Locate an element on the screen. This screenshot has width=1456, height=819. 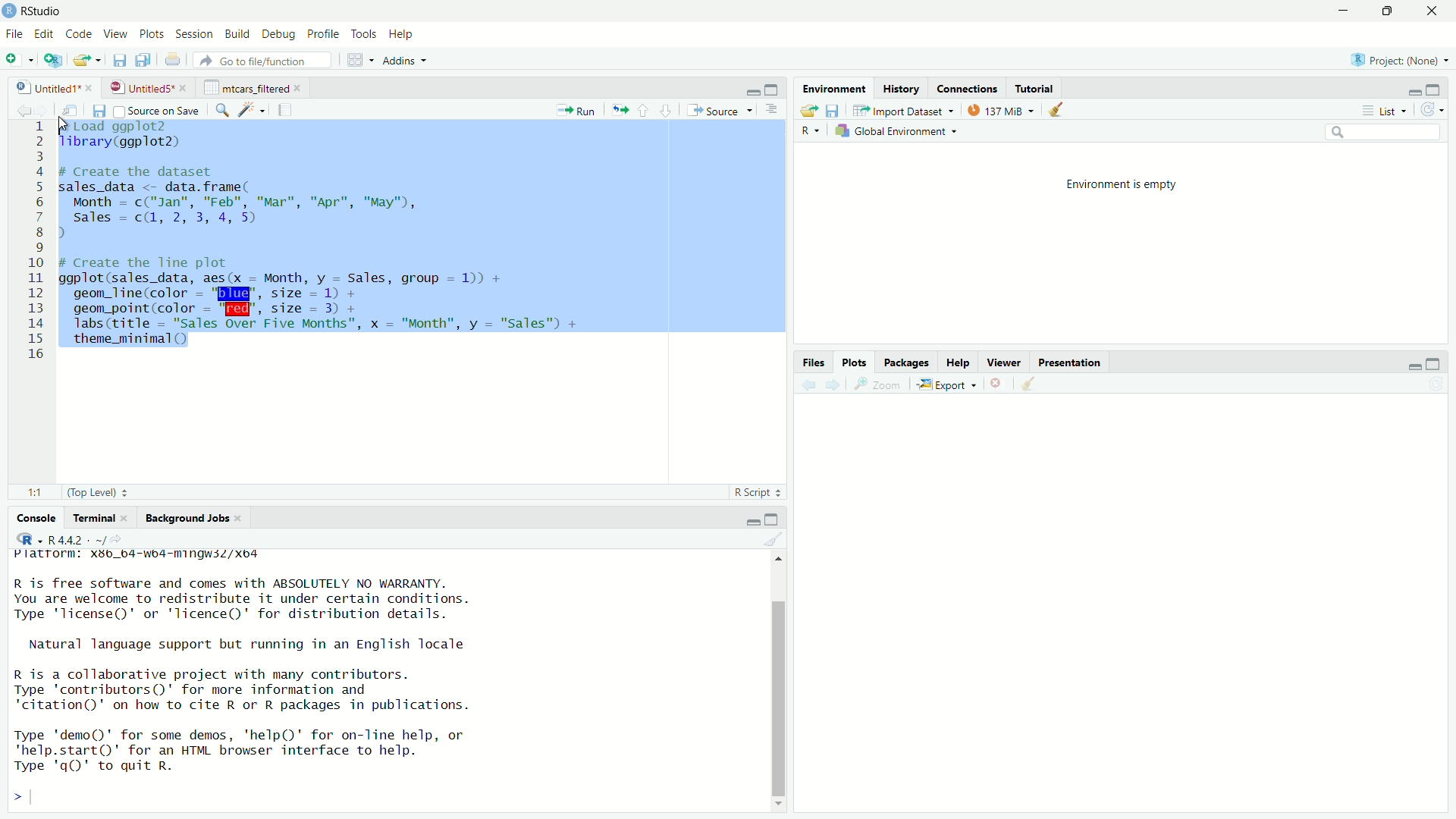
clear all plots is located at coordinates (1056, 109).